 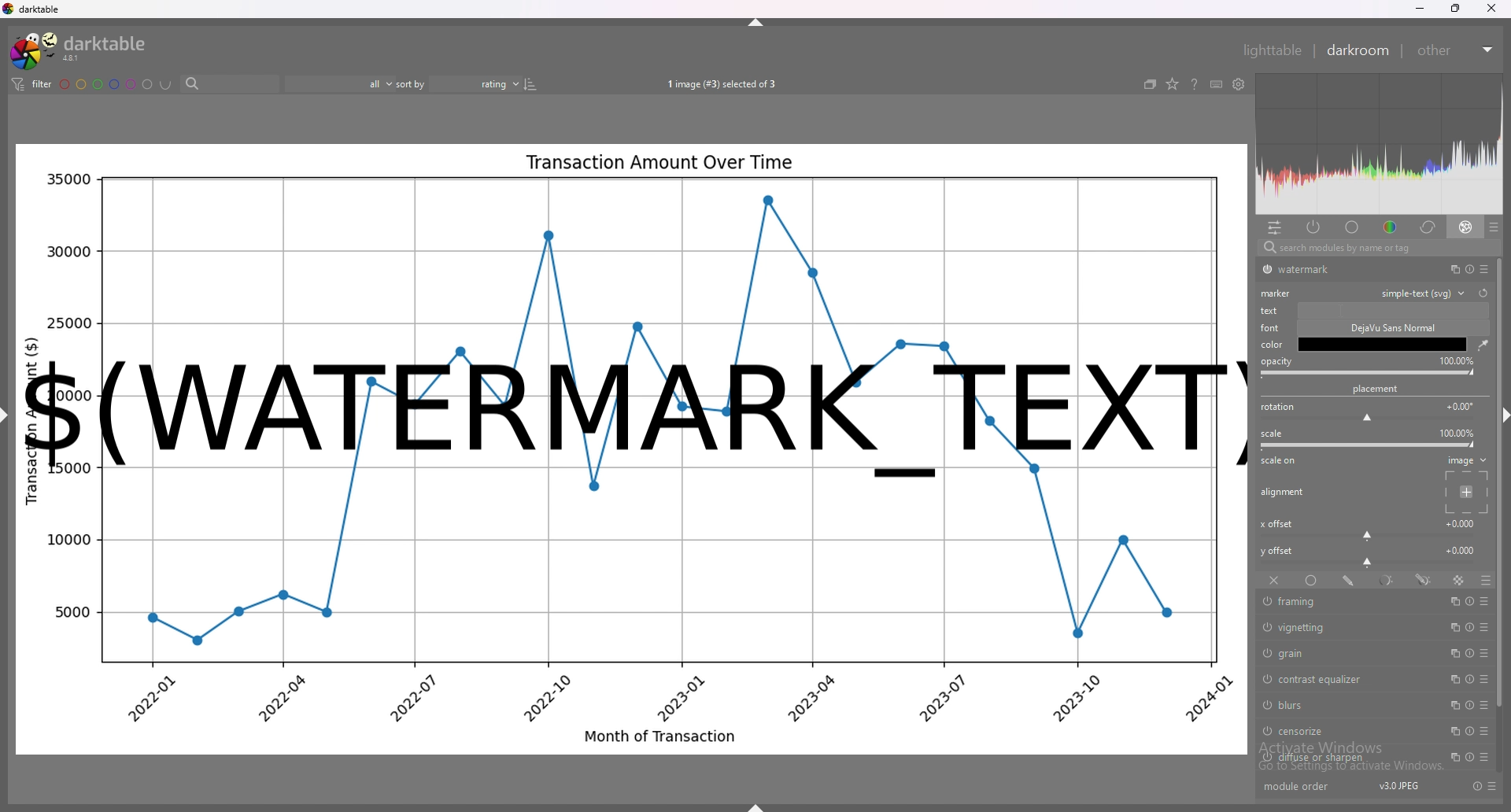 What do you see at coordinates (1457, 360) in the screenshot?
I see `opacity` at bounding box center [1457, 360].